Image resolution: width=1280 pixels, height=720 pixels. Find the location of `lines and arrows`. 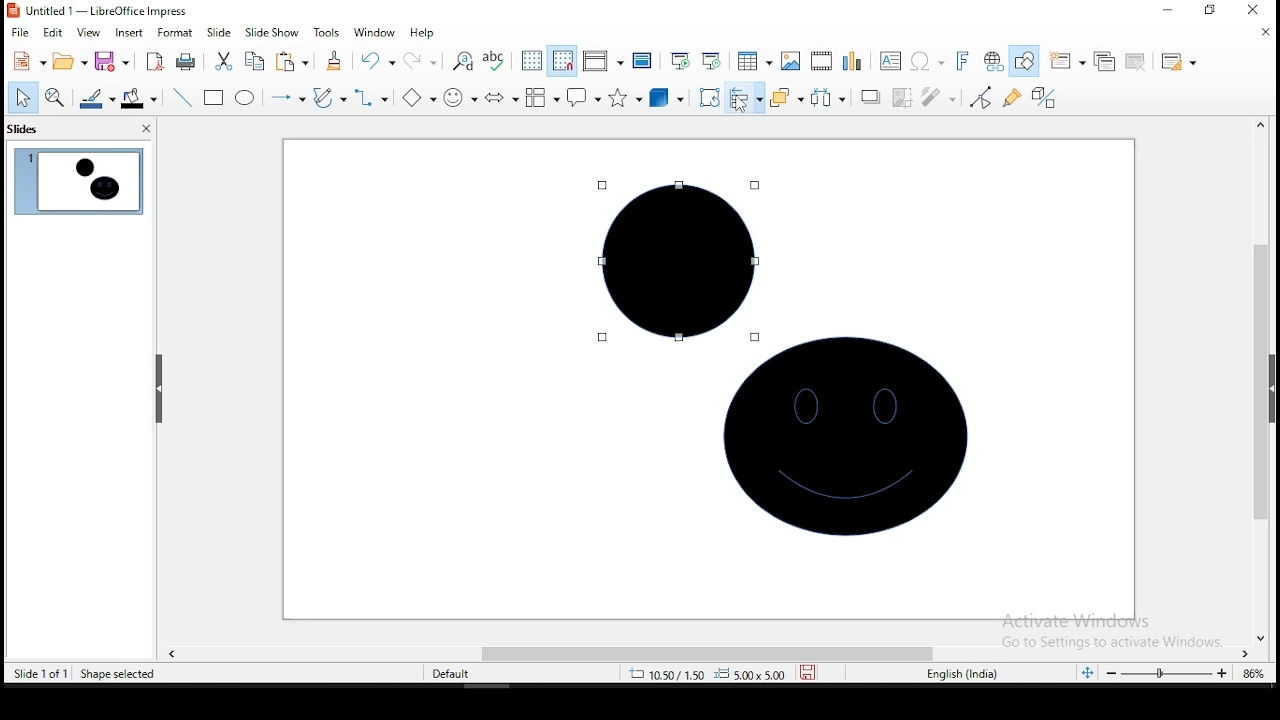

lines and arrows is located at coordinates (286, 97).